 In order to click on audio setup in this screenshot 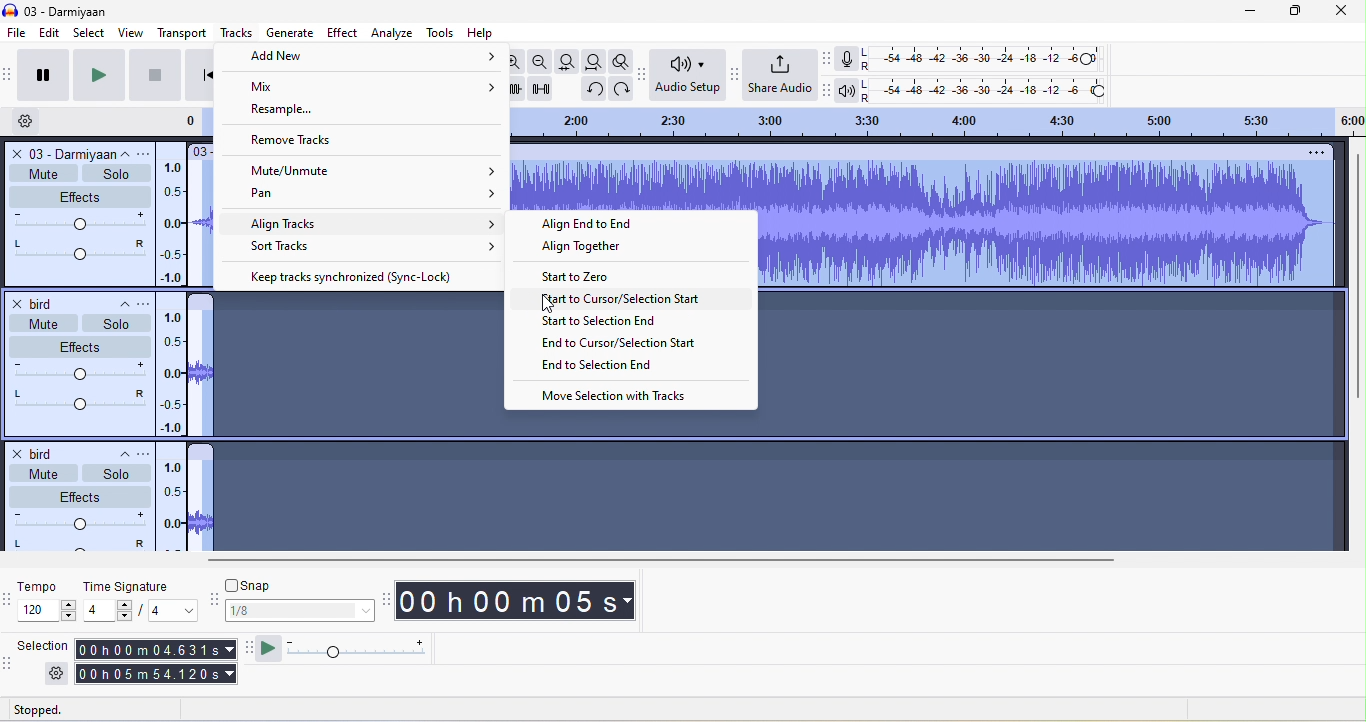, I will do `click(687, 77)`.